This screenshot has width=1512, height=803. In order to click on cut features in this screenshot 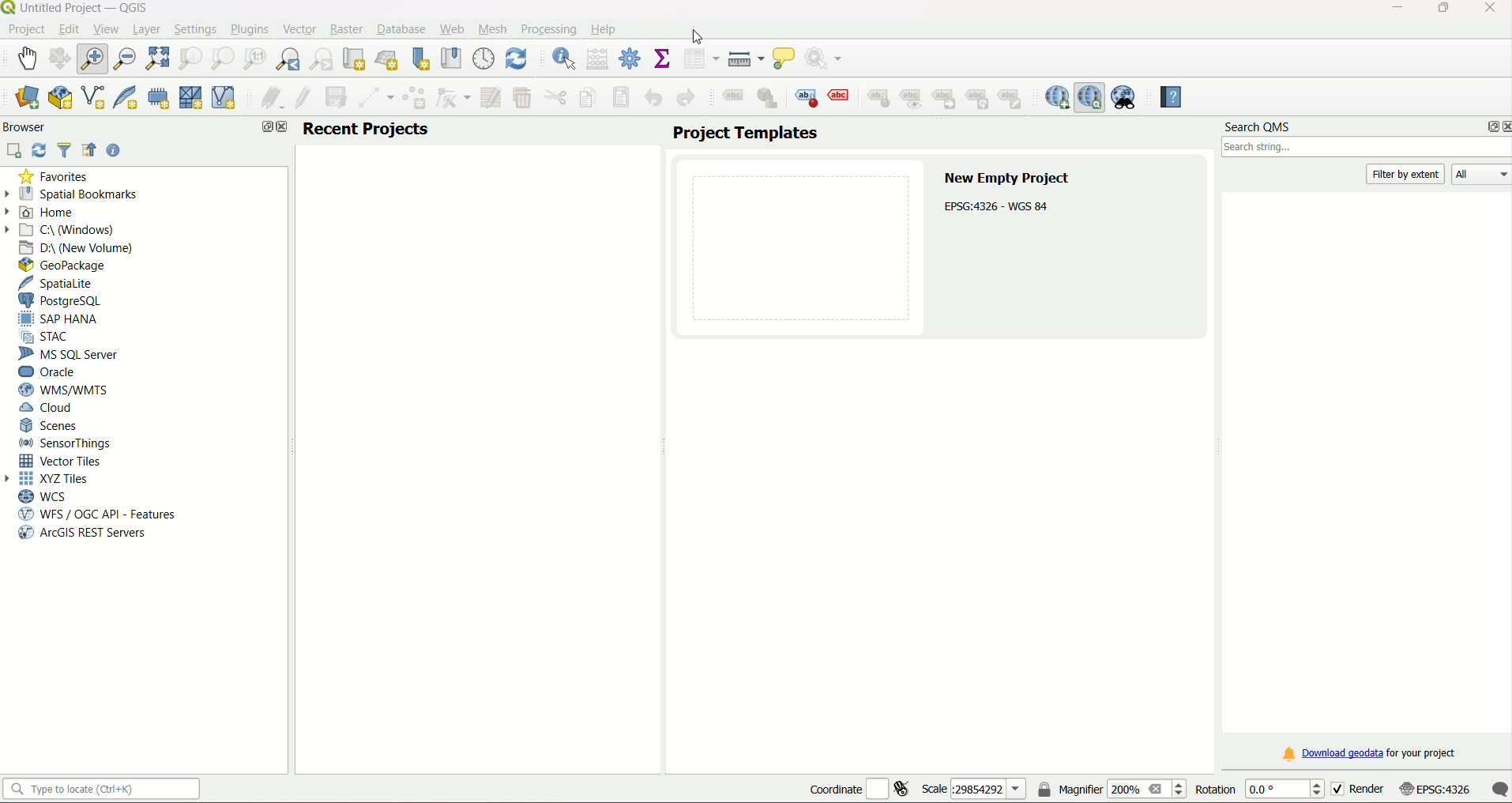, I will do `click(555, 98)`.